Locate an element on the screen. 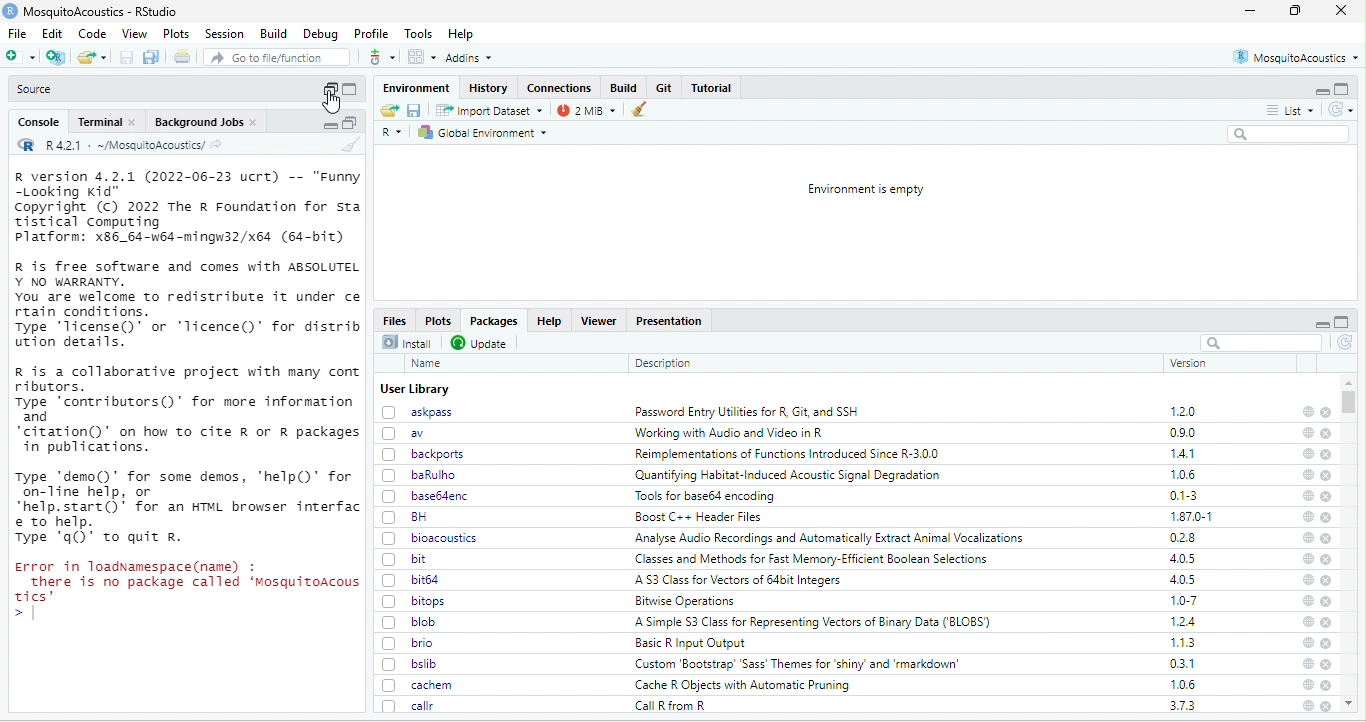 Image resolution: width=1366 pixels, height=722 pixels. Presentation is located at coordinates (671, 321).